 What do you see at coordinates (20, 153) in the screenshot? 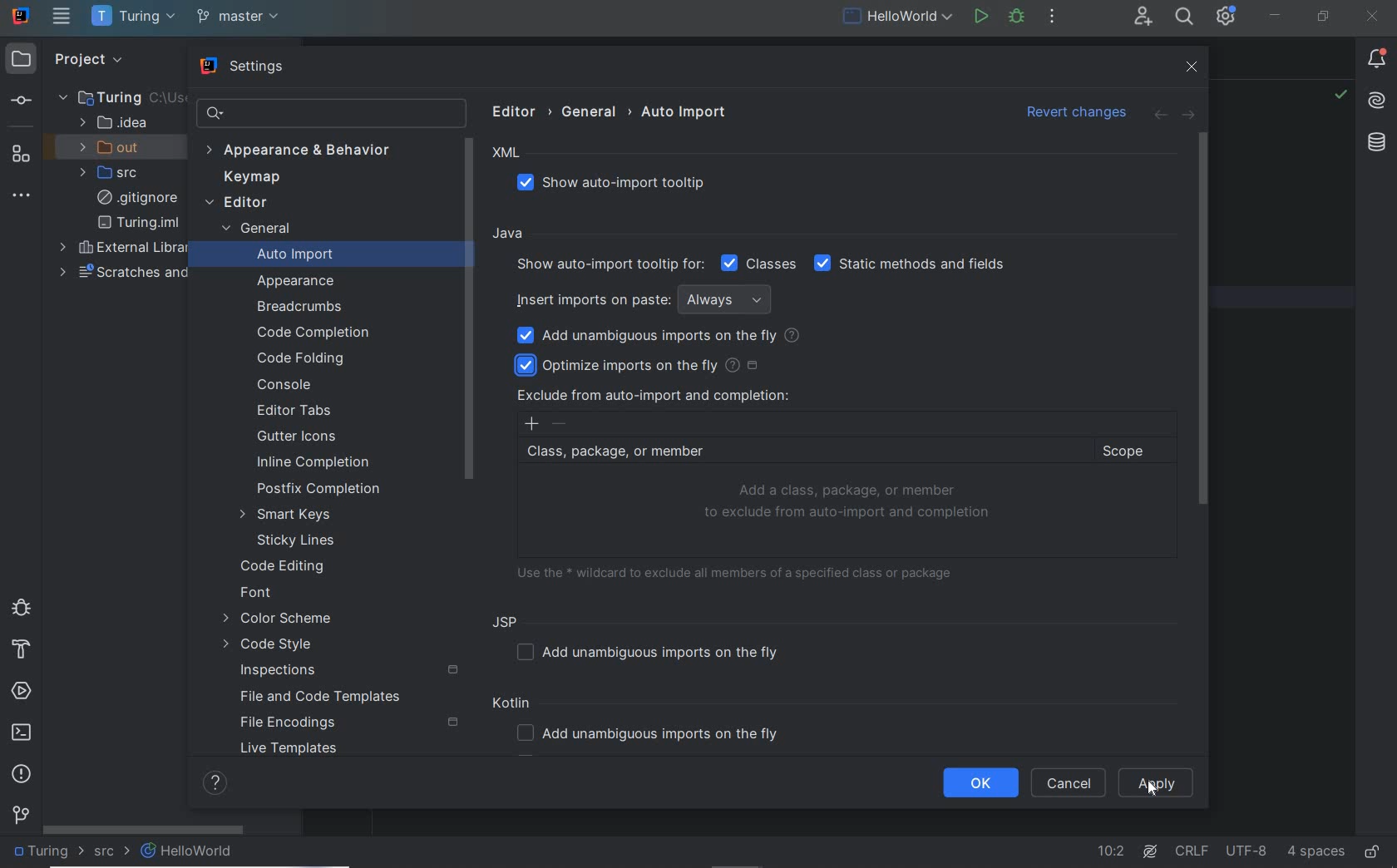
I see `structure` at bounding box center [20, 153].